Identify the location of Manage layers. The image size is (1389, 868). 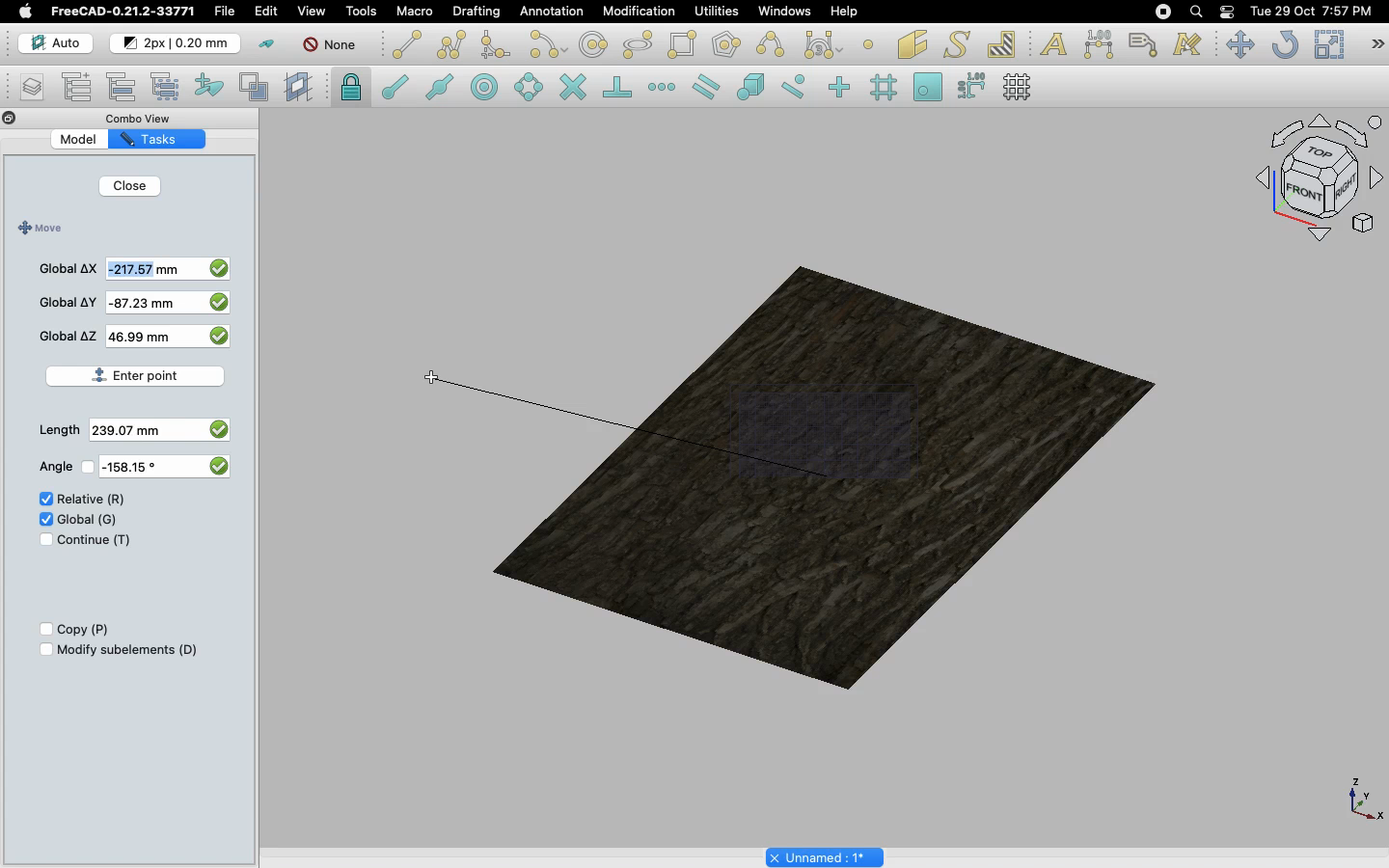
(25, 89).